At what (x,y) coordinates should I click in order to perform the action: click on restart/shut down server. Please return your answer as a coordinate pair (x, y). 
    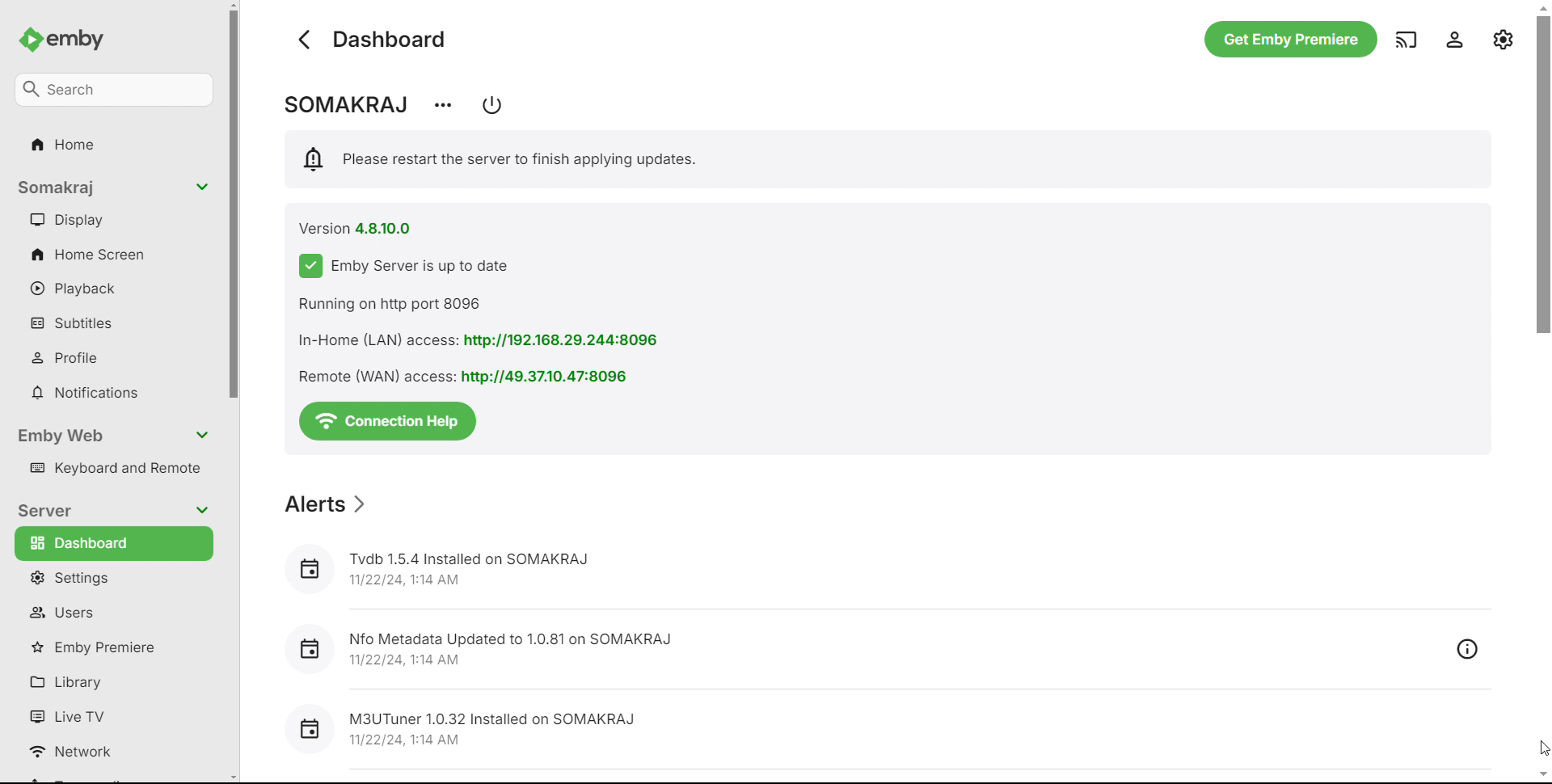
    Looking at the image, I should click on (492, 105).